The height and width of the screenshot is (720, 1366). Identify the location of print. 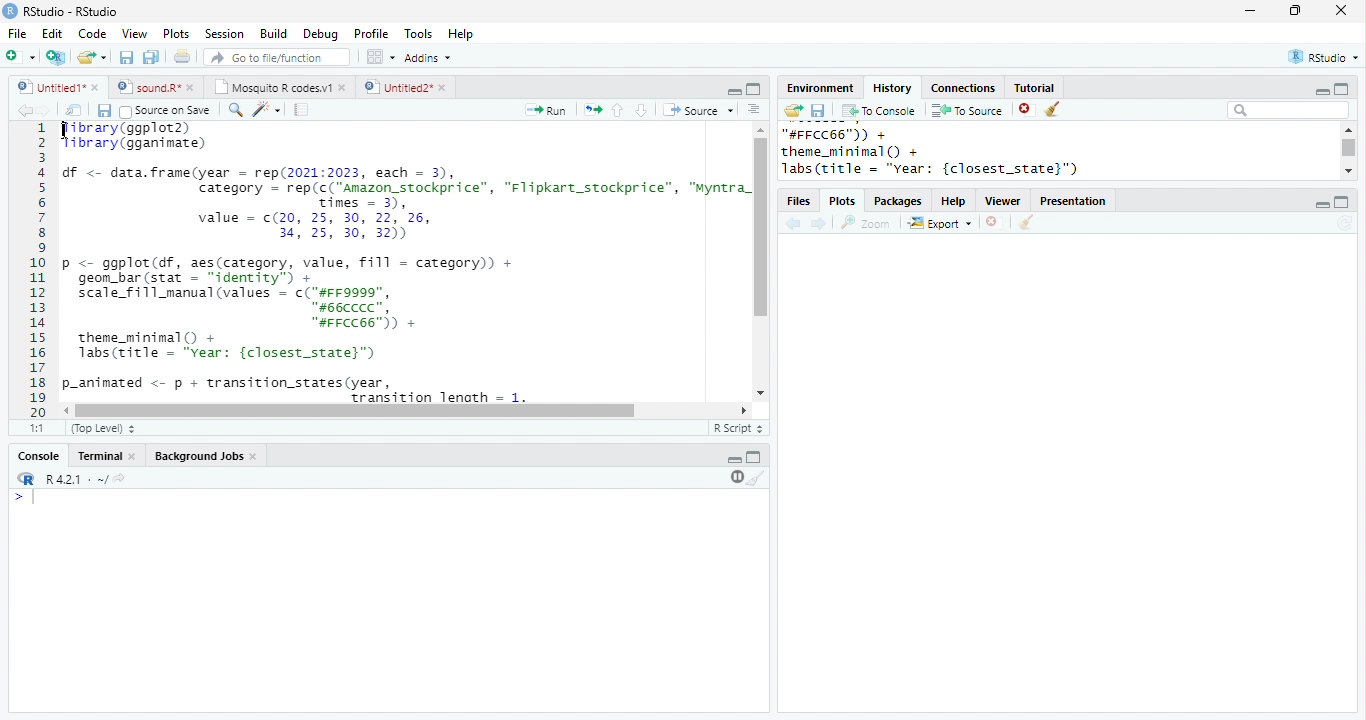
(181, 56).